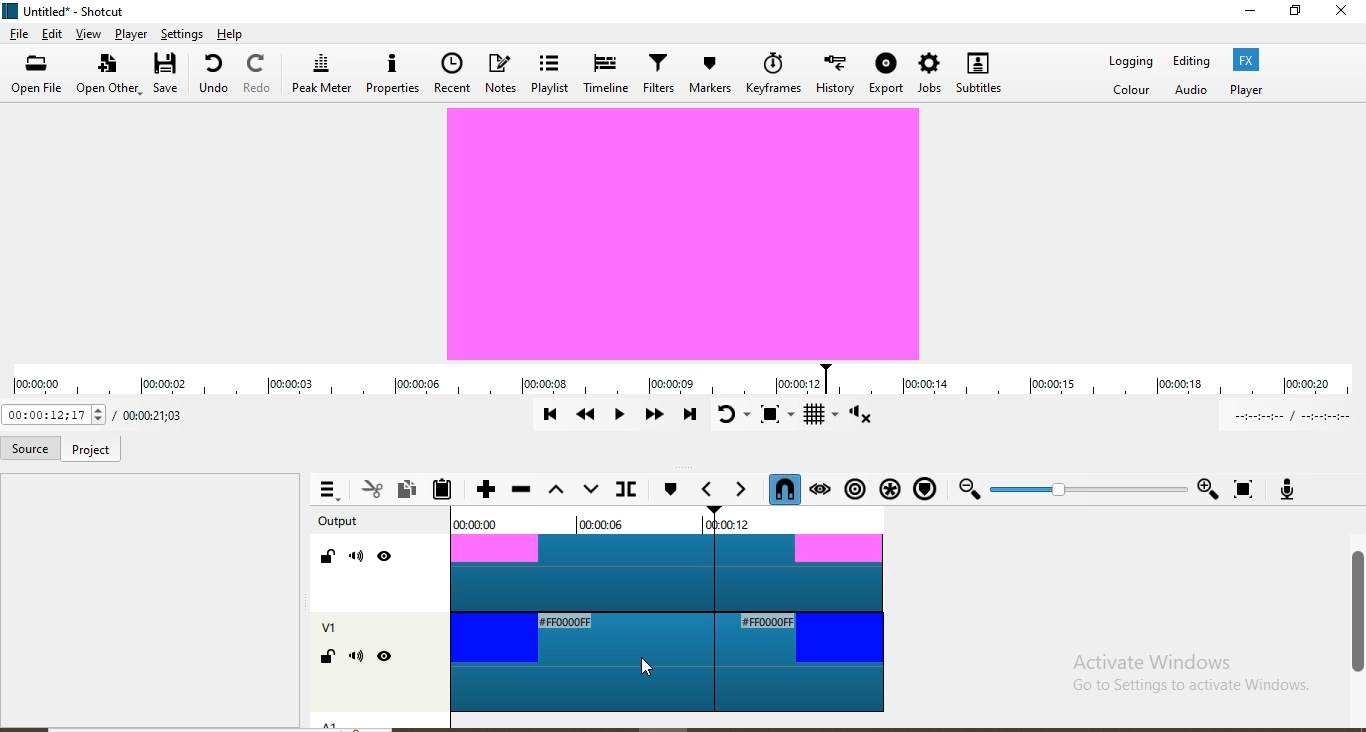  Describe the element at coordinates (1128, 63) in the screenshot. I see `Logging` at that location.